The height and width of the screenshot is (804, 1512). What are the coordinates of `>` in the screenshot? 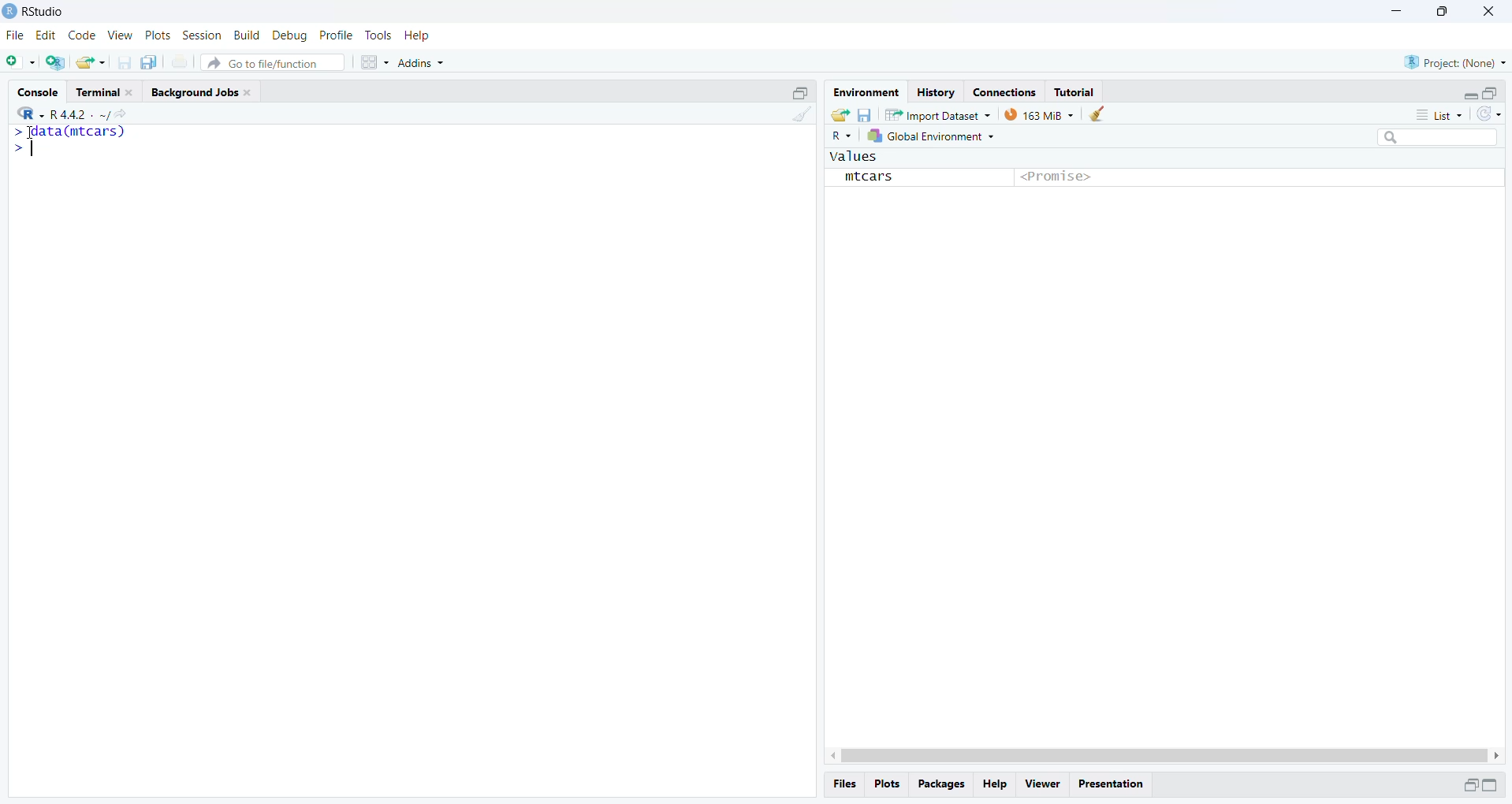 It's located at (14, 147).